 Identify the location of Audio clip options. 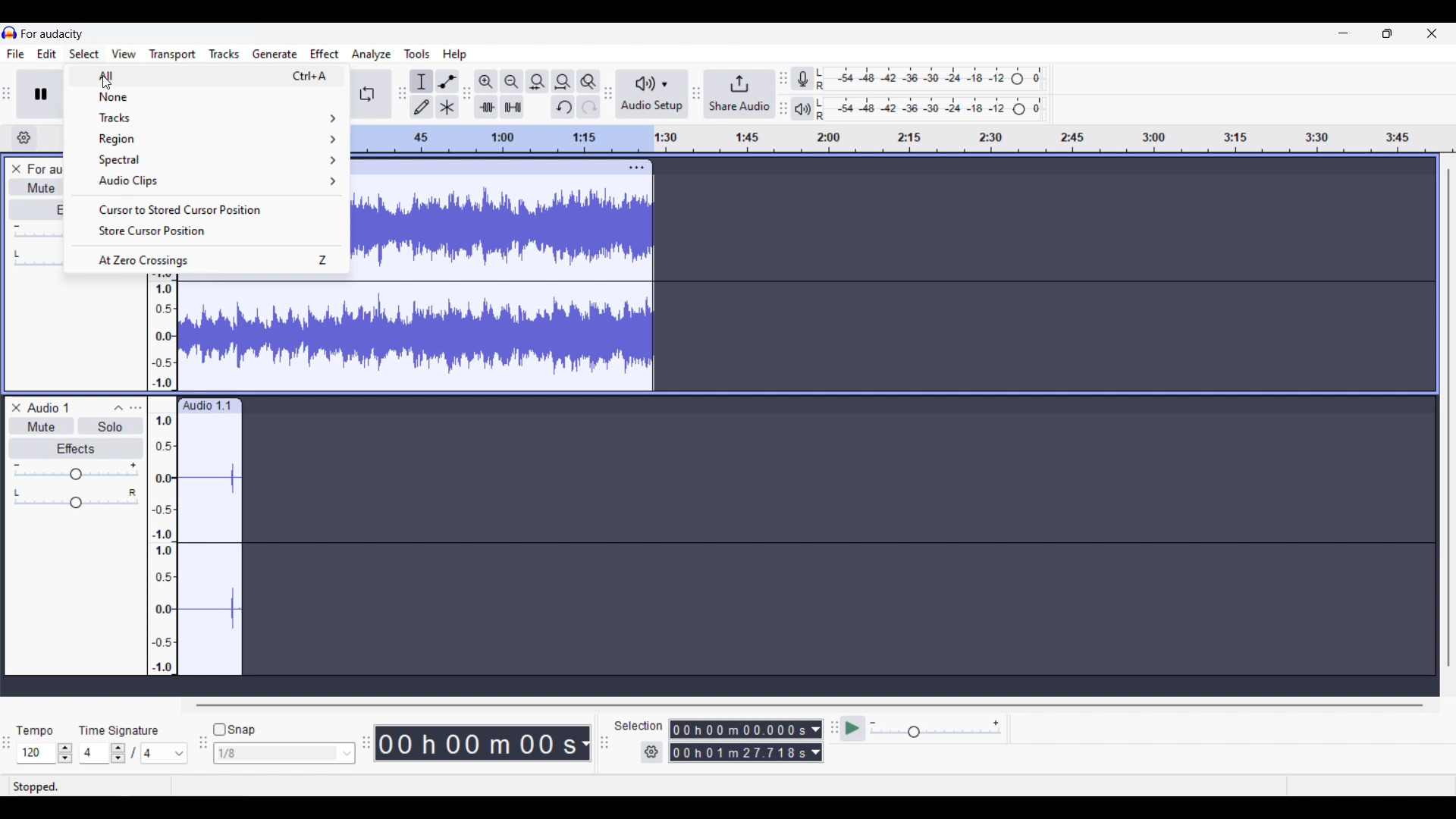
(209, 181).